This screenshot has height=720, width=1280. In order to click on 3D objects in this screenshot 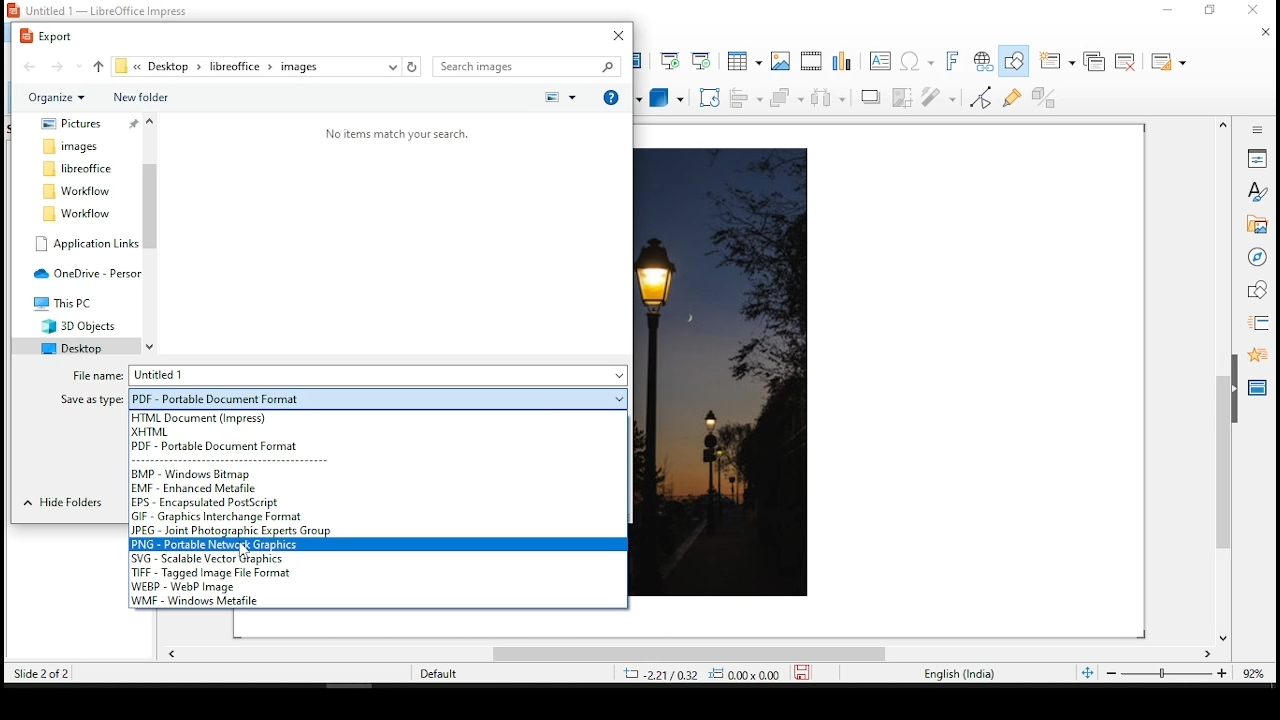, I will do `click(665, 99)`.